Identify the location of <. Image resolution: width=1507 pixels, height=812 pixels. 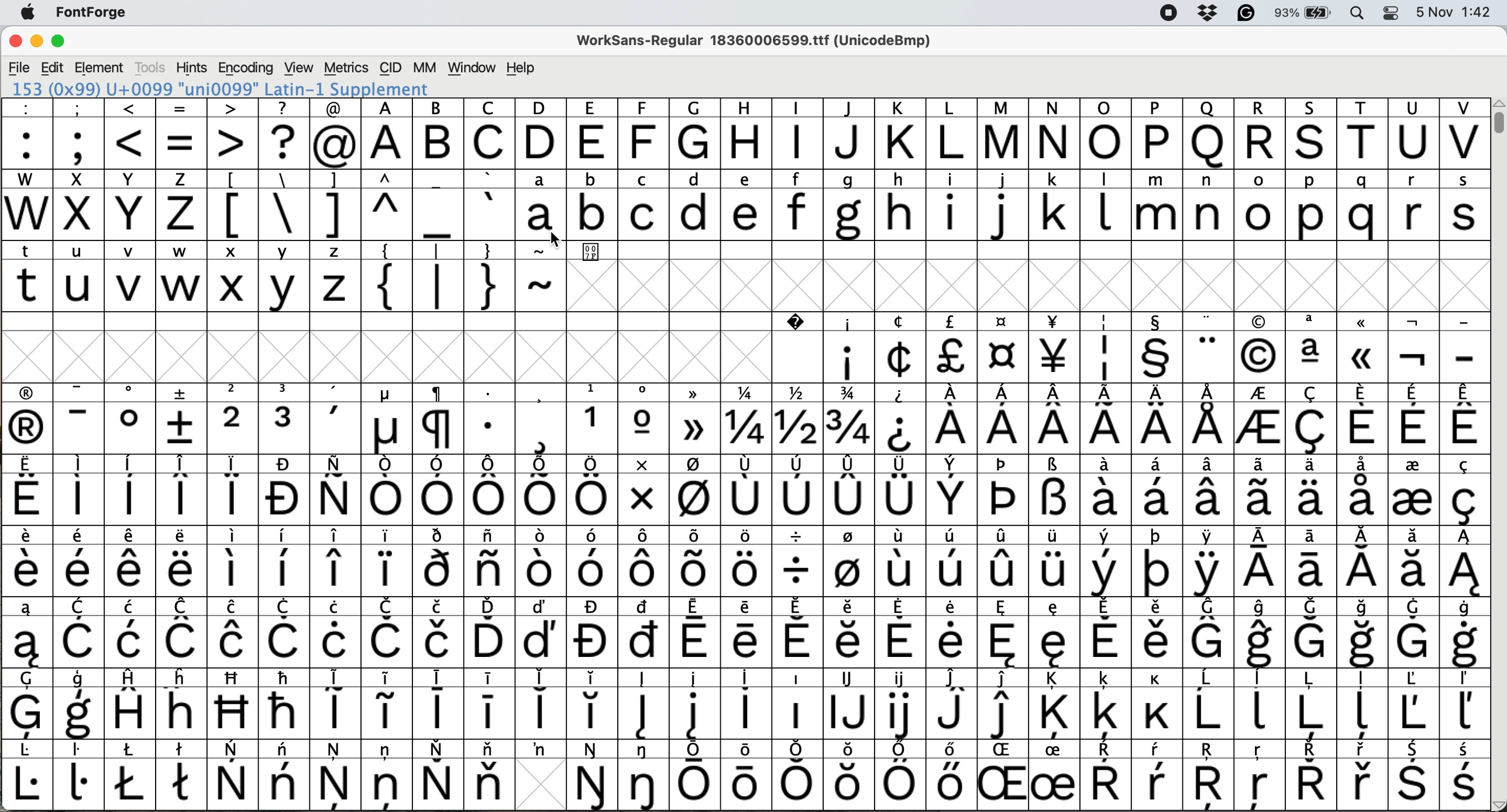
(130, 133).